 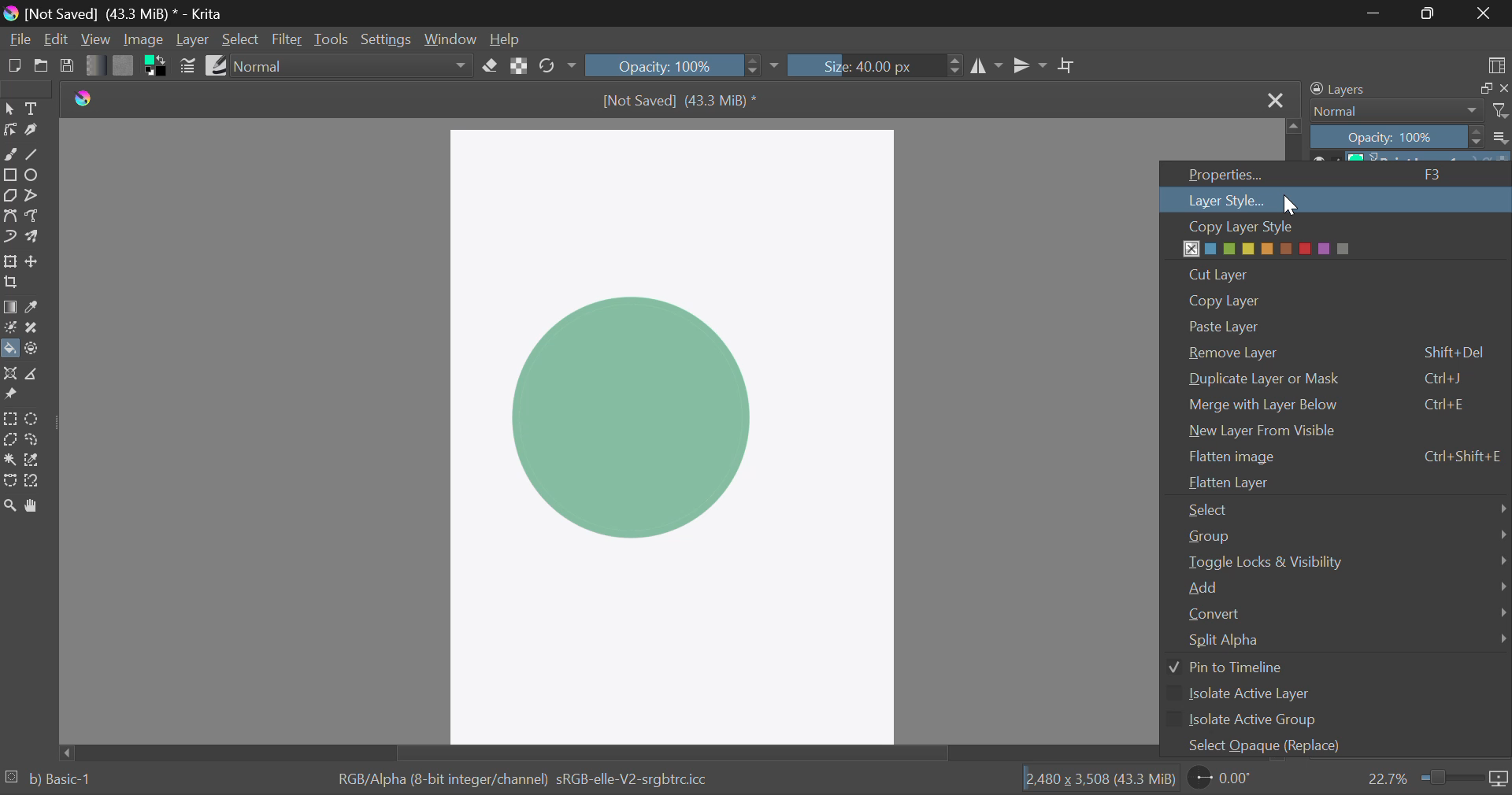 I want to click on Rectangular Selection, so click(x=9, y=419).